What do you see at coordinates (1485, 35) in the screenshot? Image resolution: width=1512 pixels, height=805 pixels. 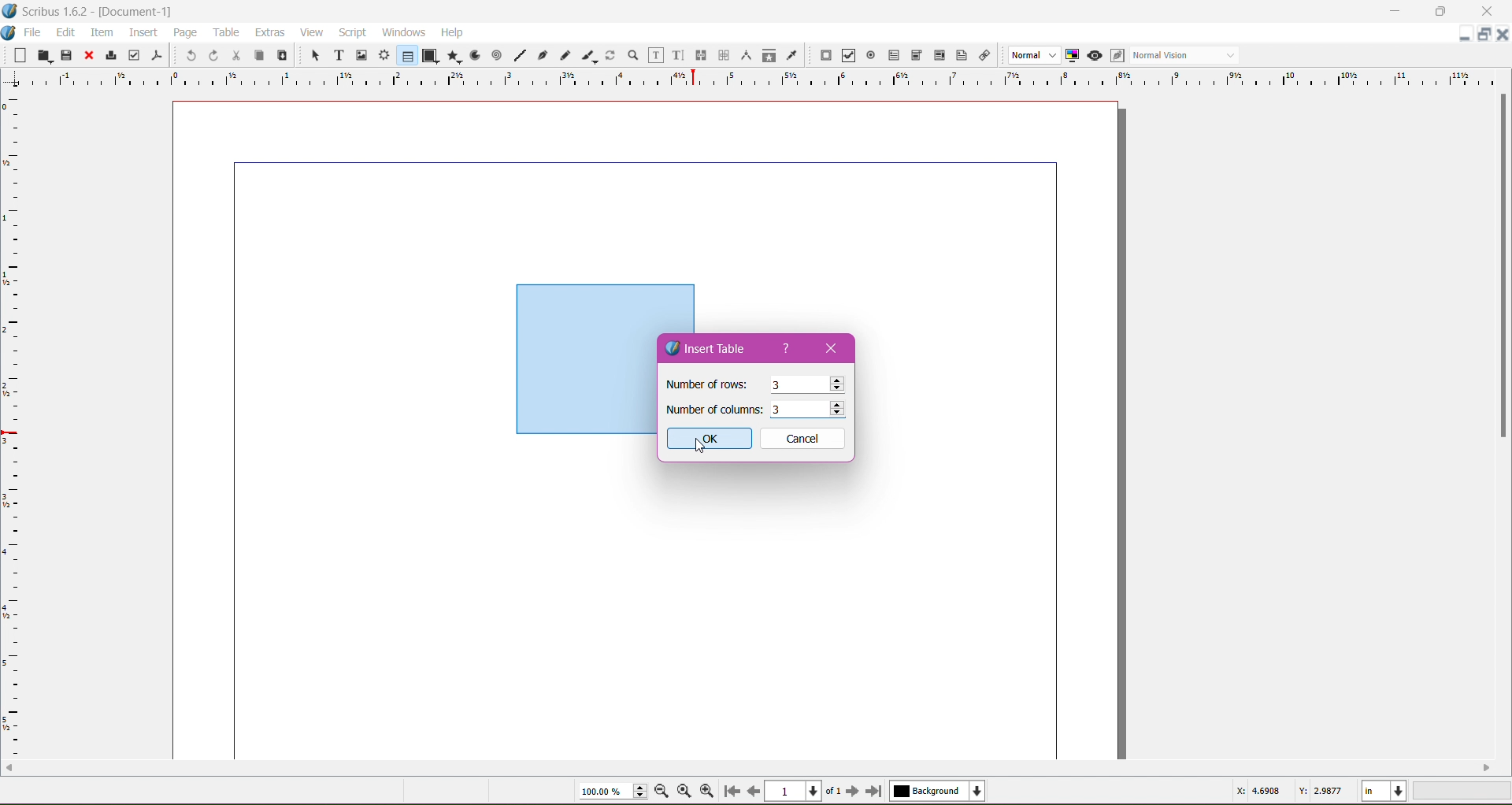 I see `Maximize` at bounding box center [1485, 35].